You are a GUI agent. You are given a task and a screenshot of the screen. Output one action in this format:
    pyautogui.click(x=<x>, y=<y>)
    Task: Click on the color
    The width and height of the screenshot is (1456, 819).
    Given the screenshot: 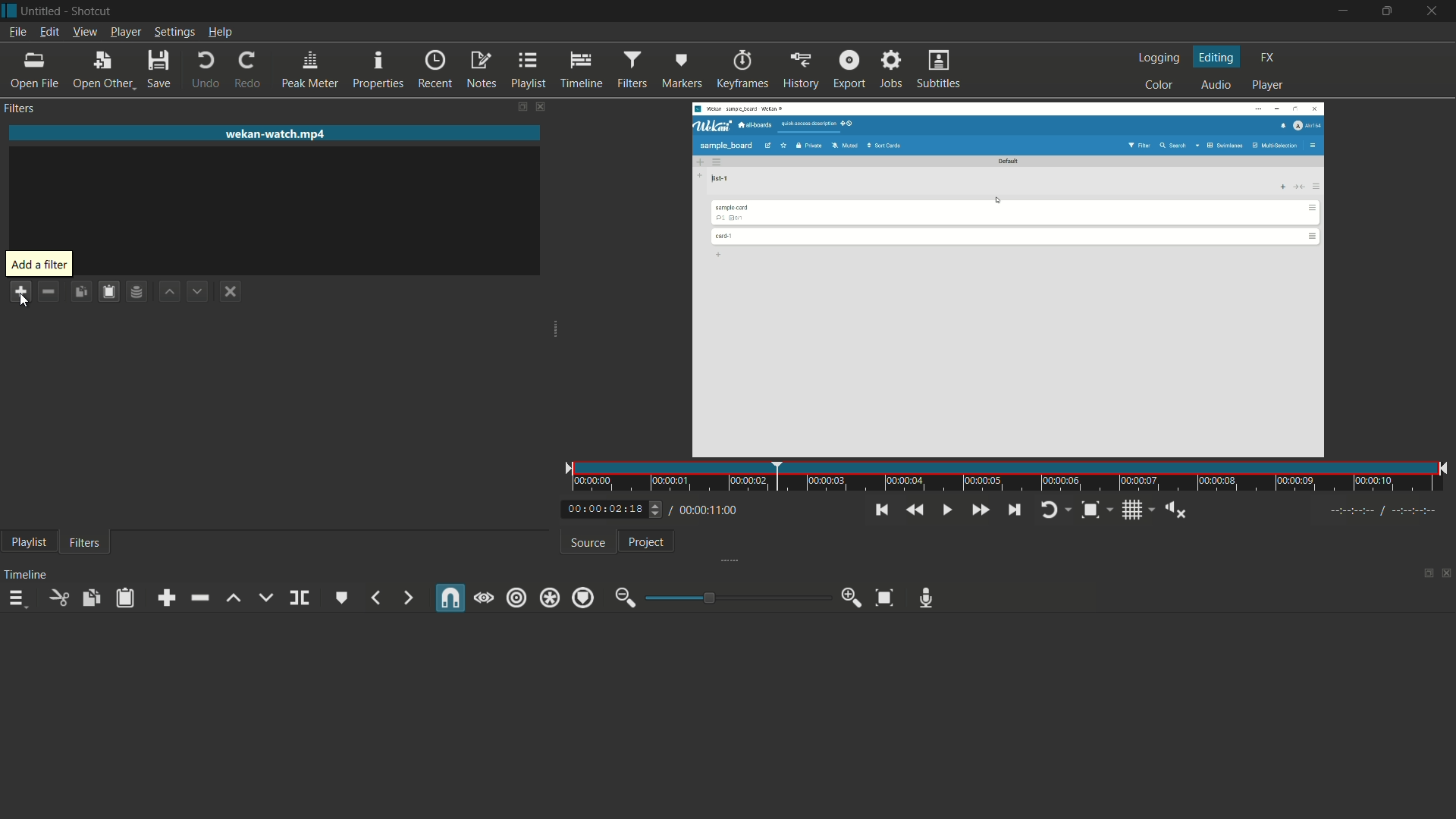 What is the action you would take?
    pyautogui.click(x=1159, y=85)
    